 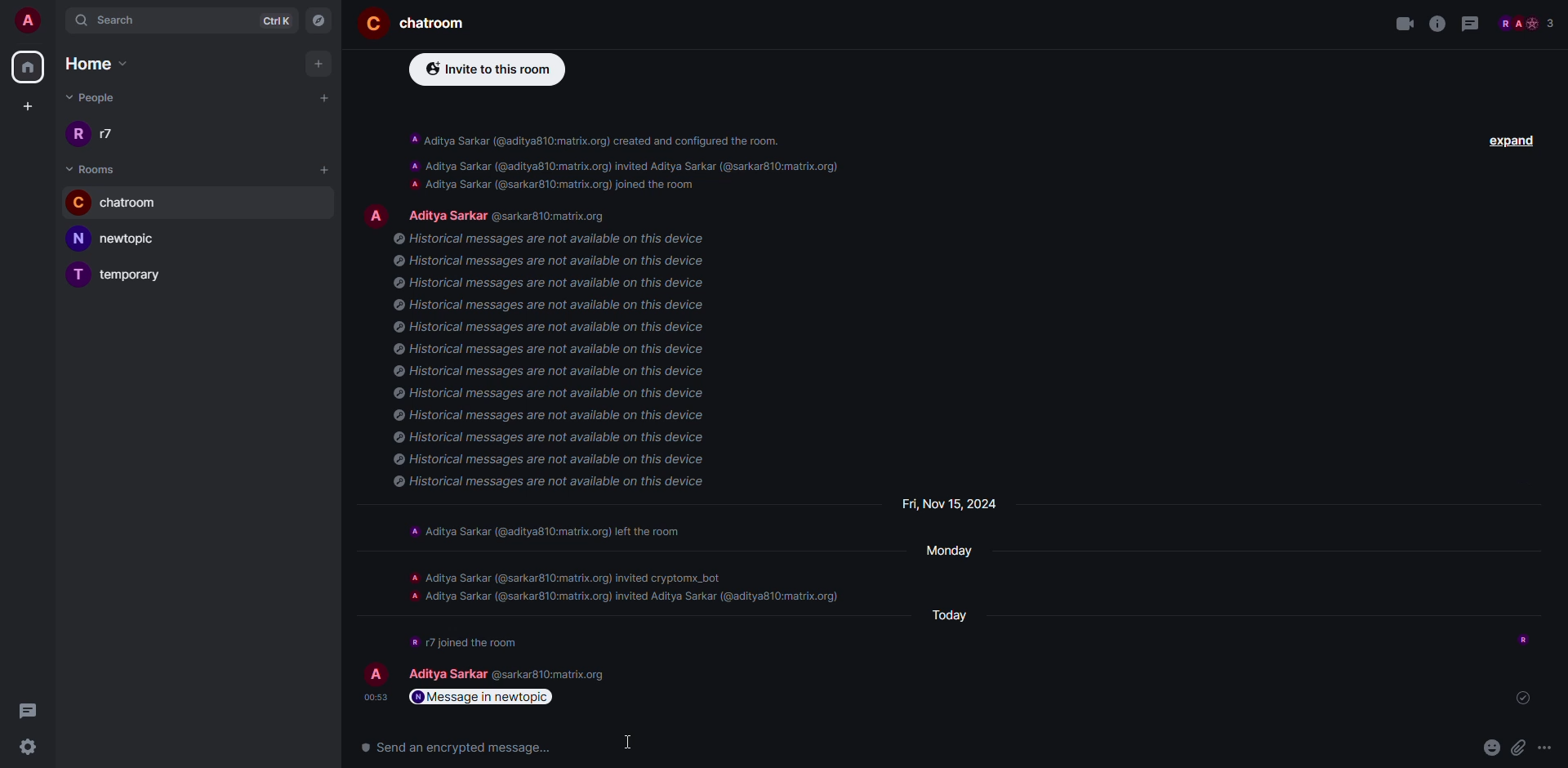 I want to click on home, so click(x=29, y=66).